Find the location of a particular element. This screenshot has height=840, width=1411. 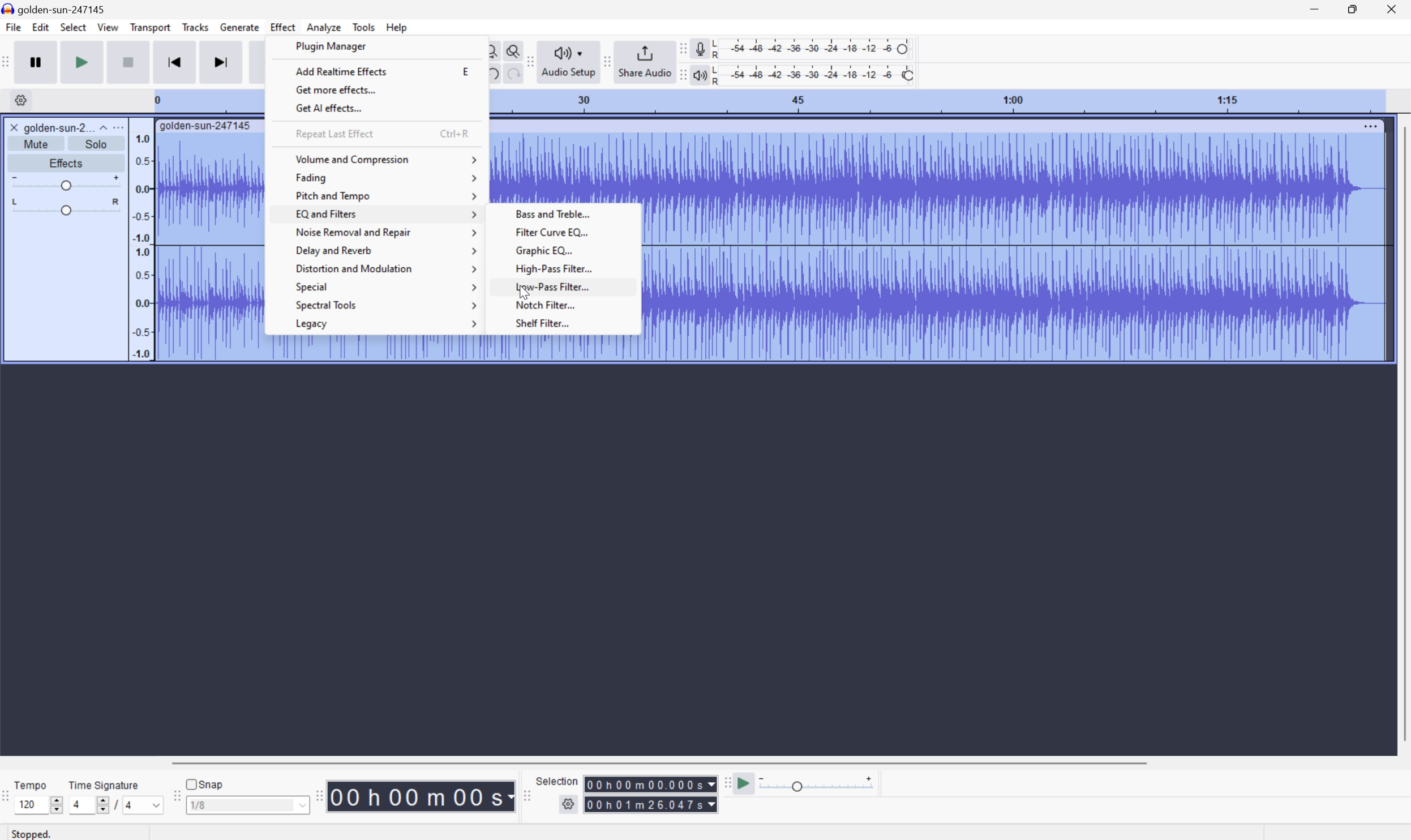

Frequencies is located at coordinates (142, 246).